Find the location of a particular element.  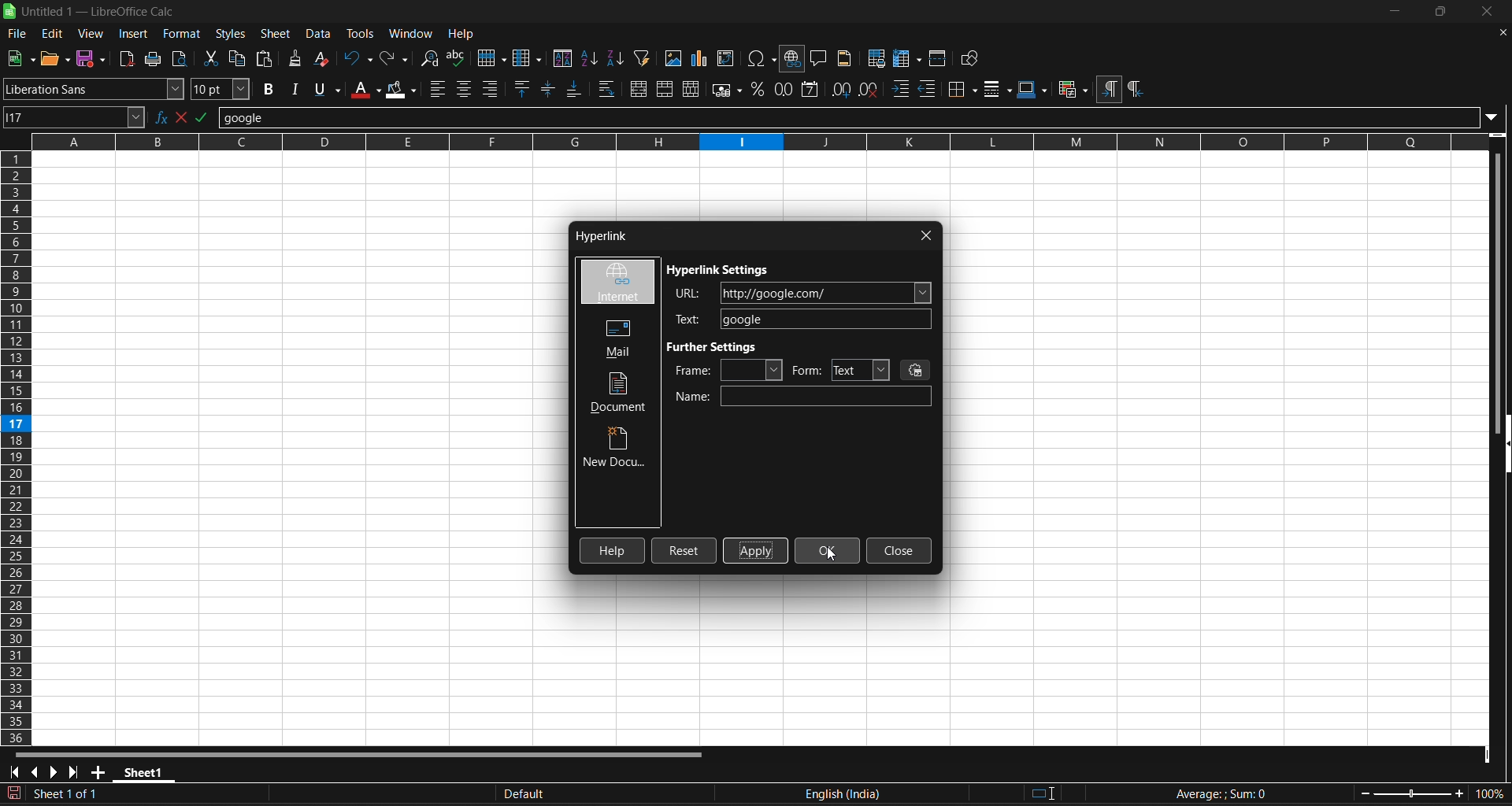

insert comment is located at coordinates (820, 57).